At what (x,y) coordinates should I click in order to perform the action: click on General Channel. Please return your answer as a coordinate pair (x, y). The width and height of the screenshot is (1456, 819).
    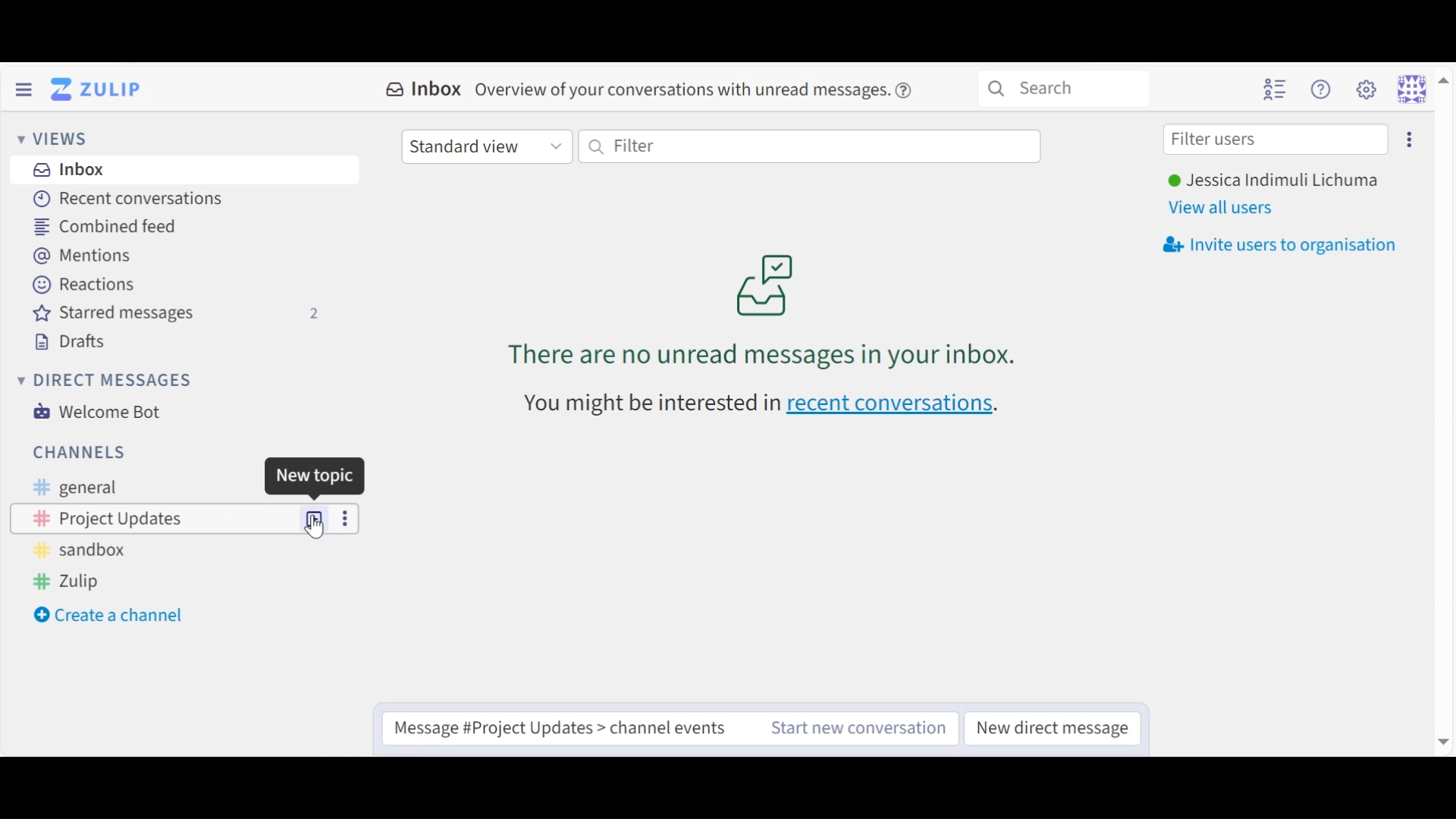
    Looking at the image, I should click on (72, 488).